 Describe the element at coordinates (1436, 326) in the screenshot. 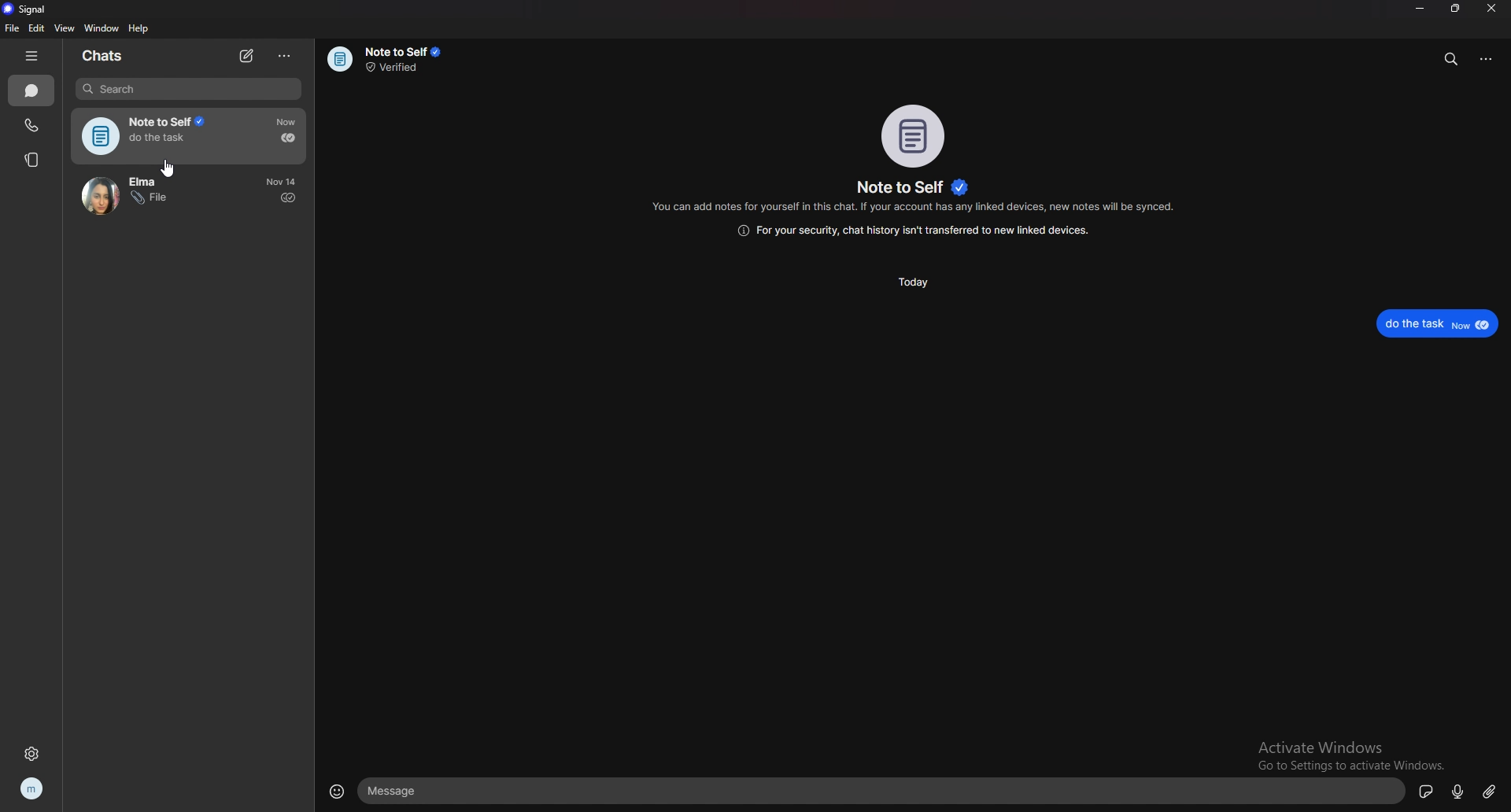

I see `delivered text` at that location.